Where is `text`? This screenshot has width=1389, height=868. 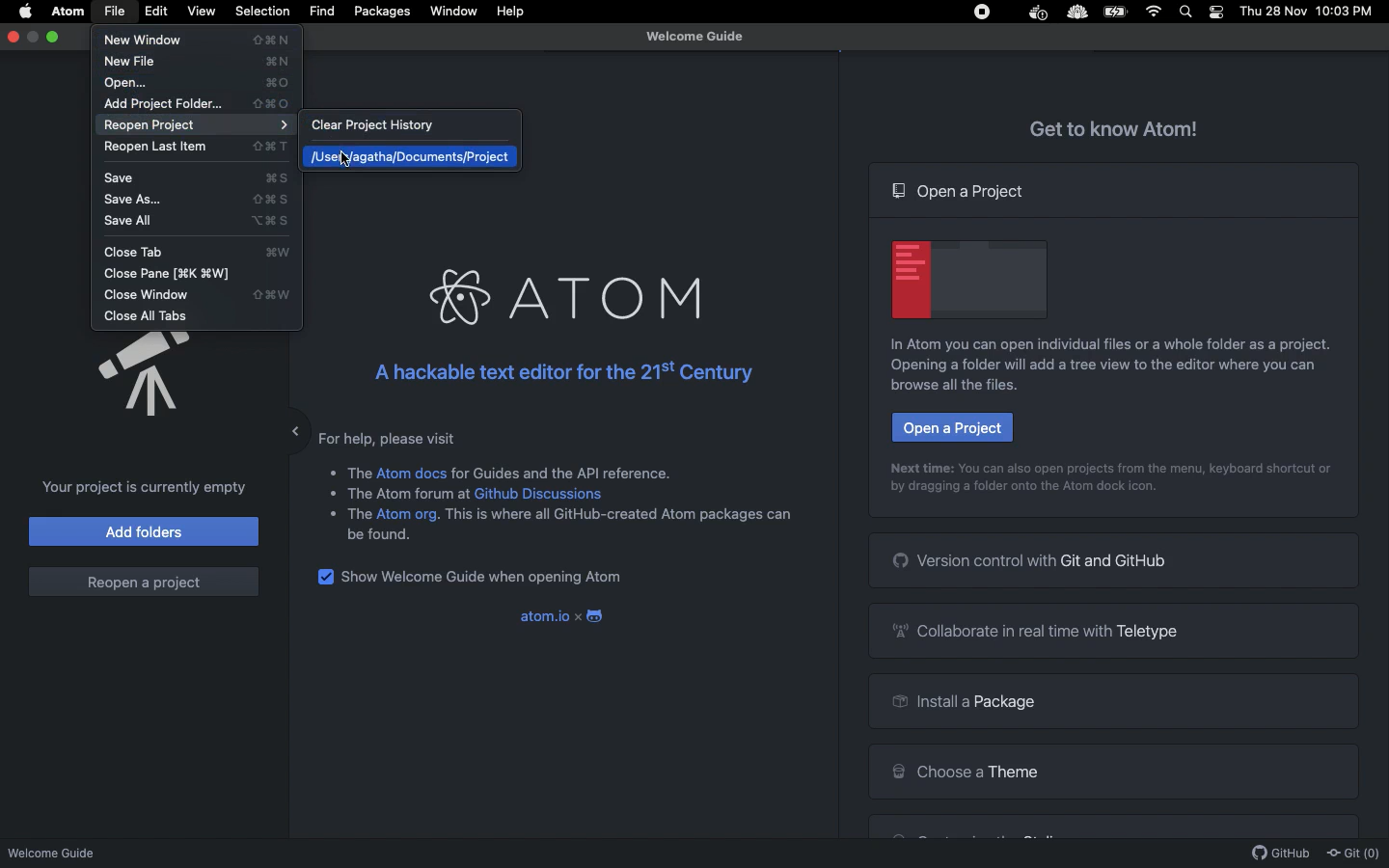 text is located at coordinates (359, 514).